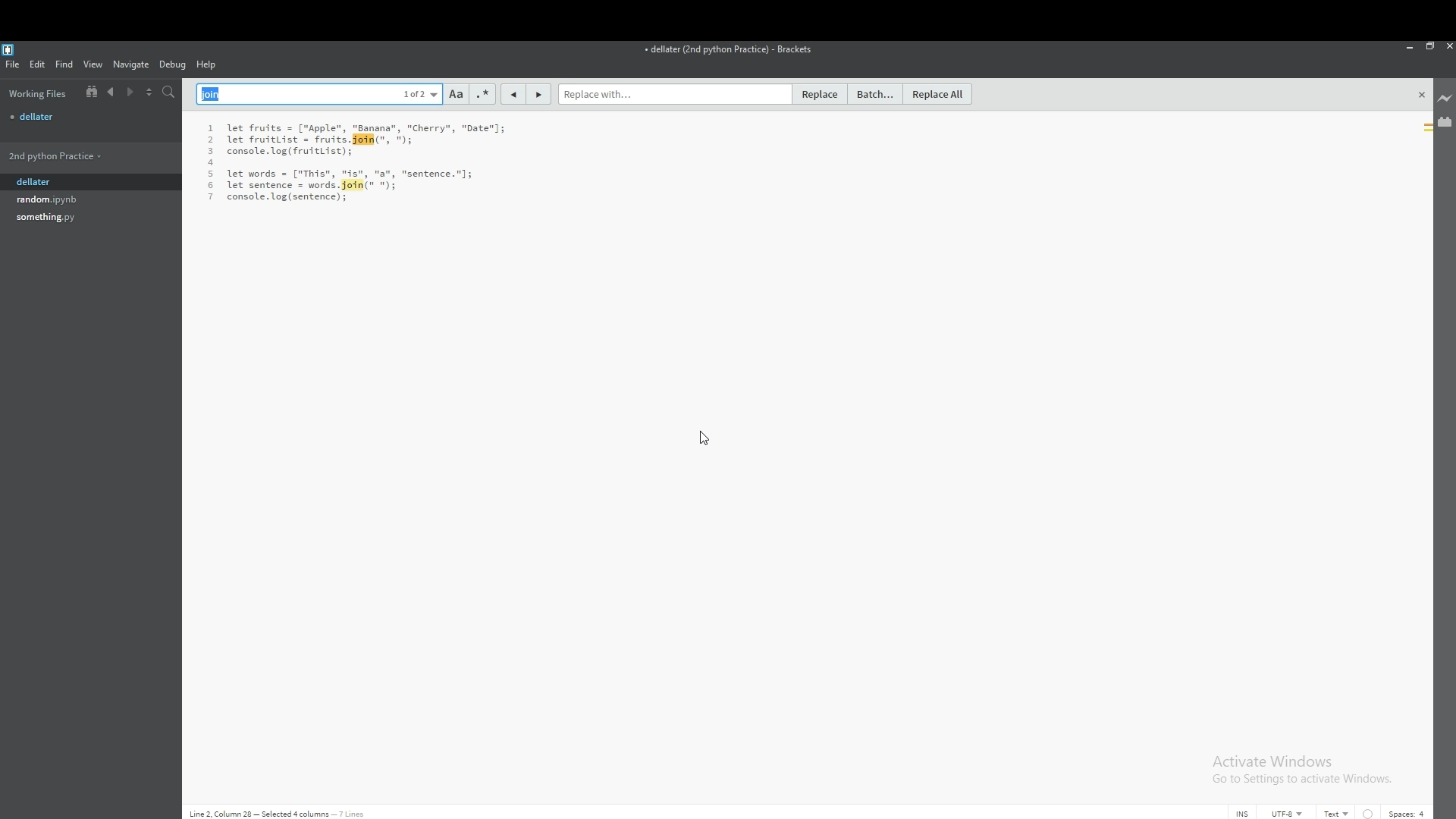  I want to click on replace, so click(819, 94).